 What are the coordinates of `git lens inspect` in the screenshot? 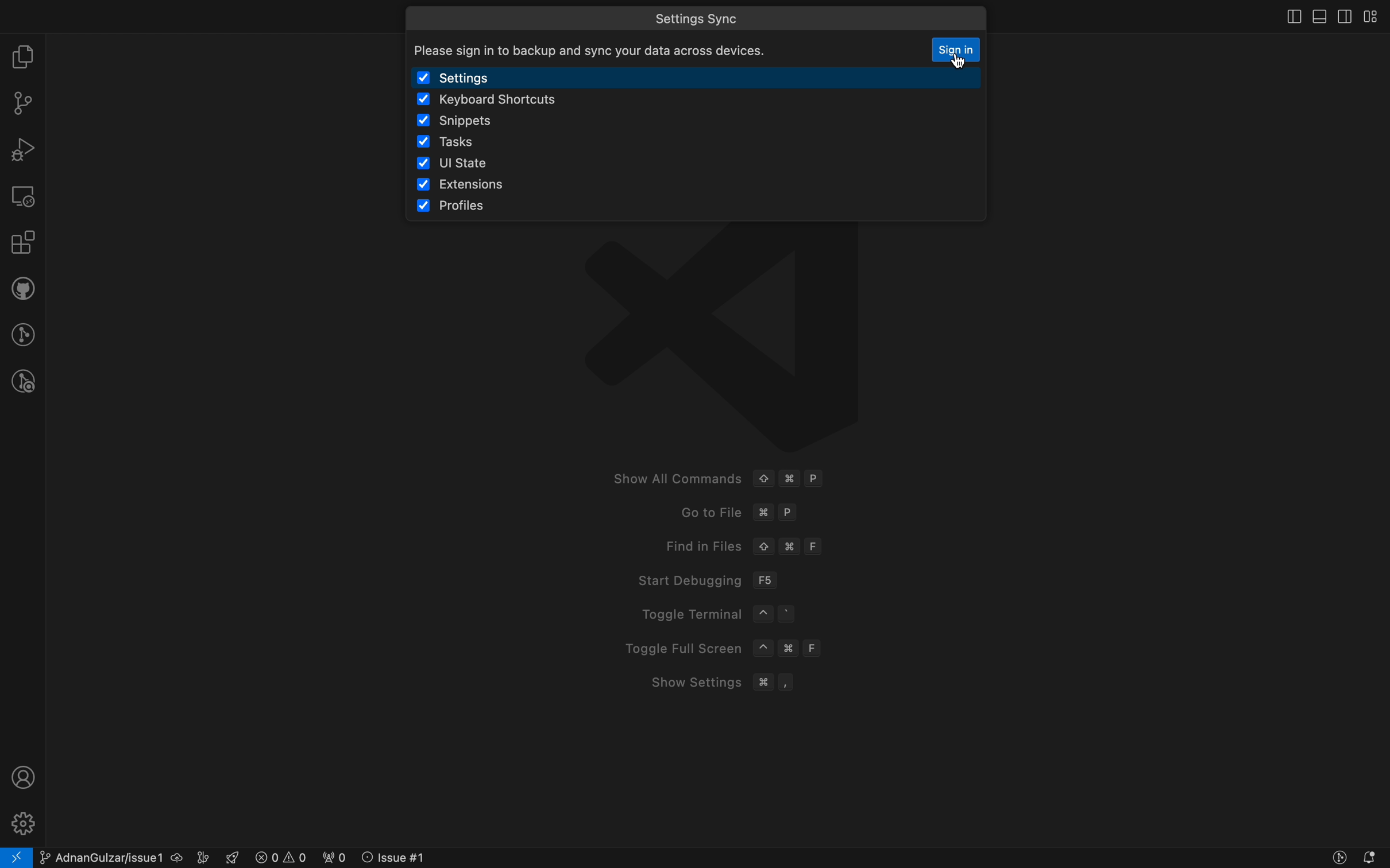 It's located at (20, 382).